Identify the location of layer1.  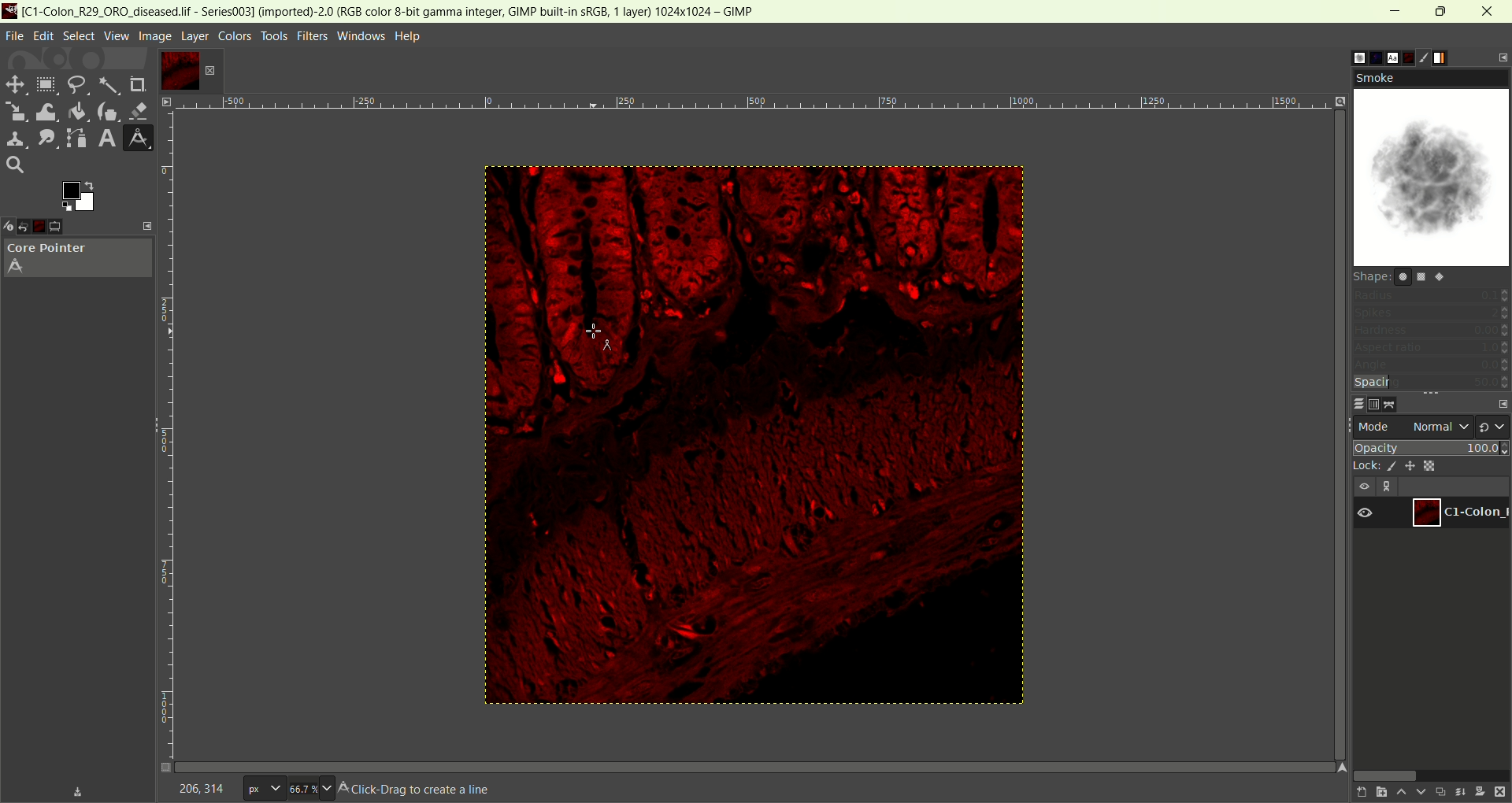
(176, 70).